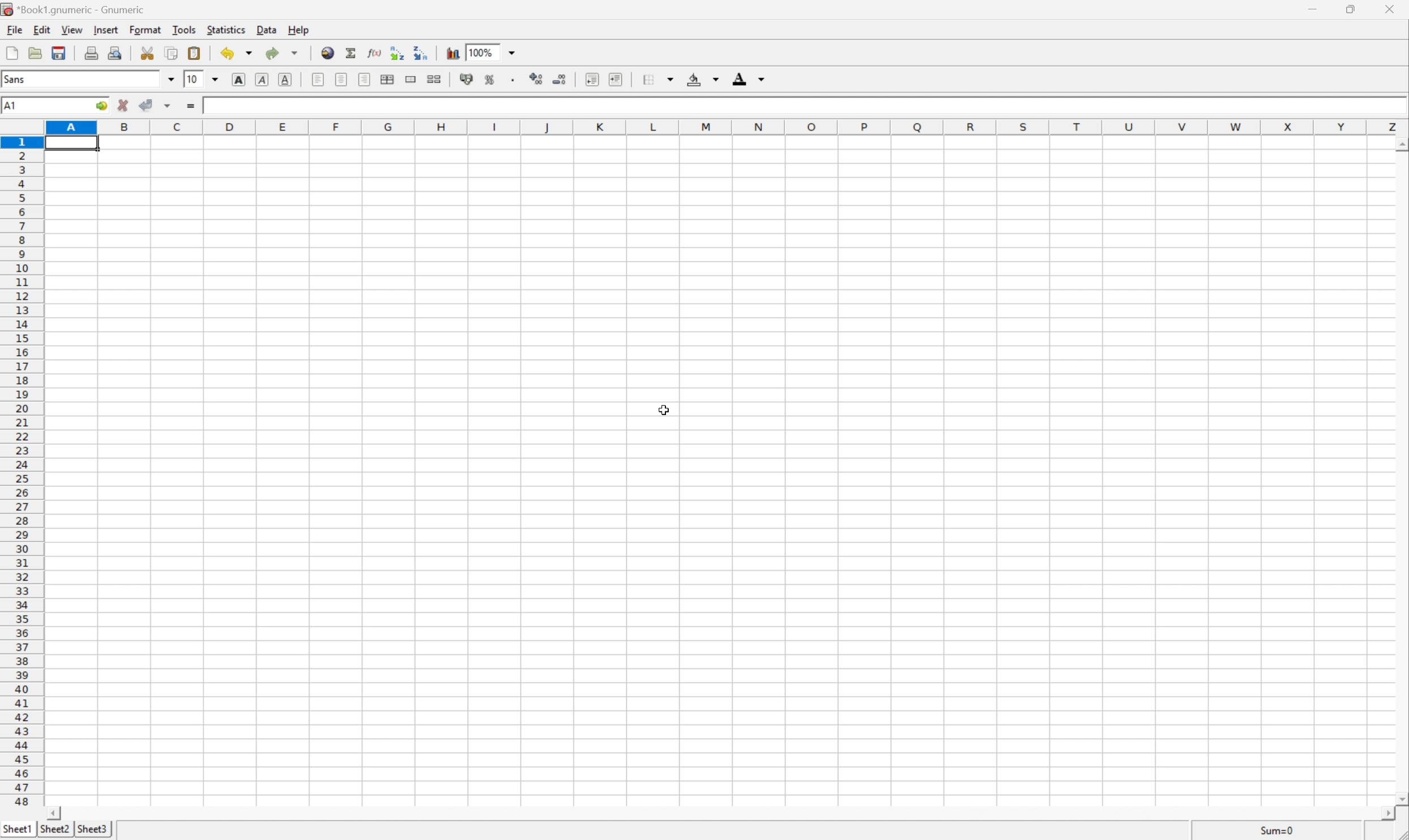 The height and width of the screenshot is (840, 1409). Describe the element at coordinates (1315, 8) in the screenshot. I see `Minimize` at that location.